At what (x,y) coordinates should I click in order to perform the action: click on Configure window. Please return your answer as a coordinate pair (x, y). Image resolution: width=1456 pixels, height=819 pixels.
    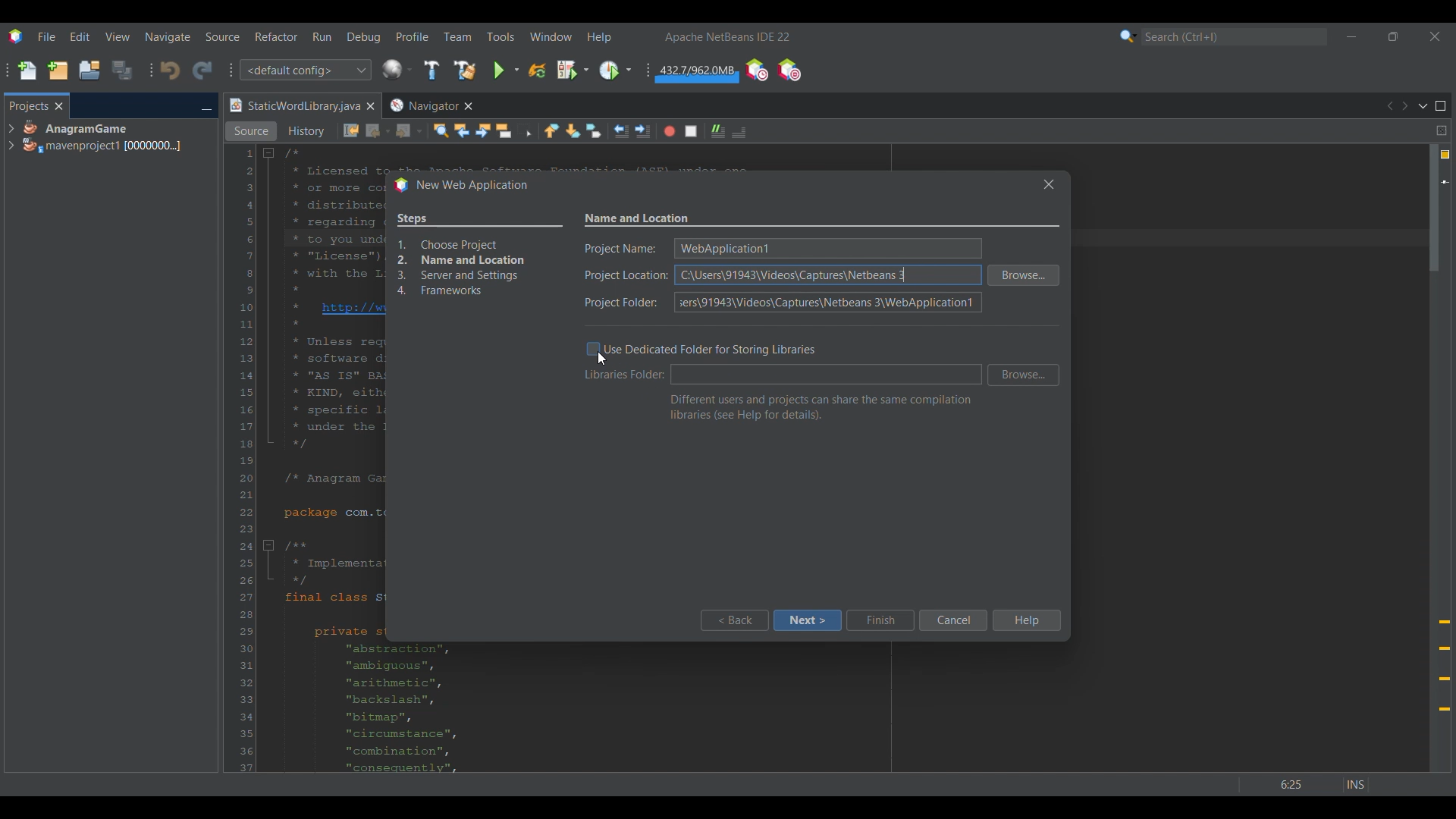
    Looking at the image, I should click on (397, 69).